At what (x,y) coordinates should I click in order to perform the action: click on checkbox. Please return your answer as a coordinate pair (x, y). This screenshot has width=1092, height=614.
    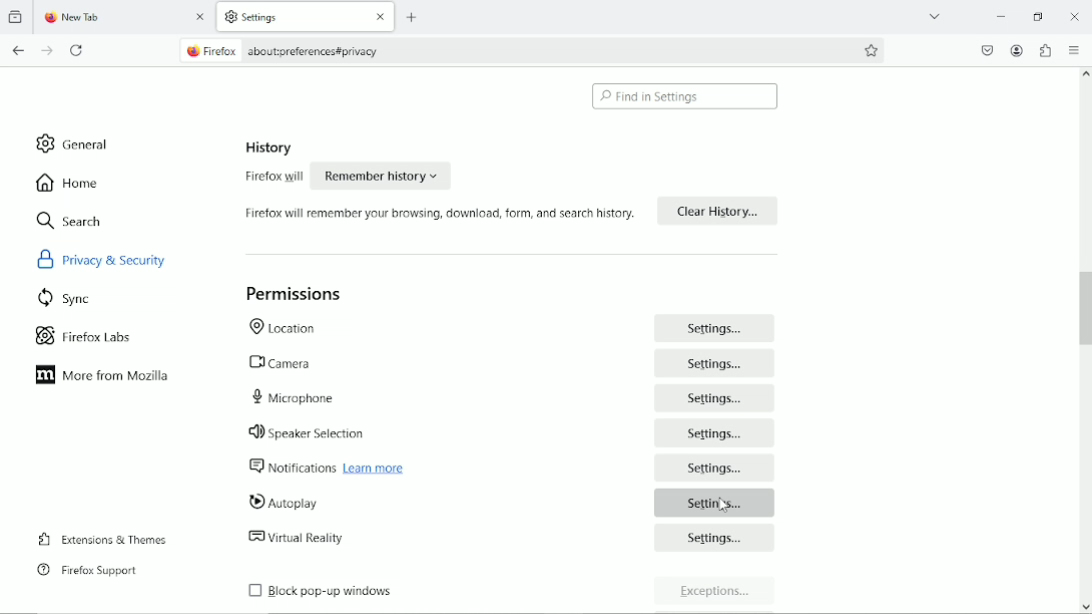
    Looking at the image, I should click on (253, 590).